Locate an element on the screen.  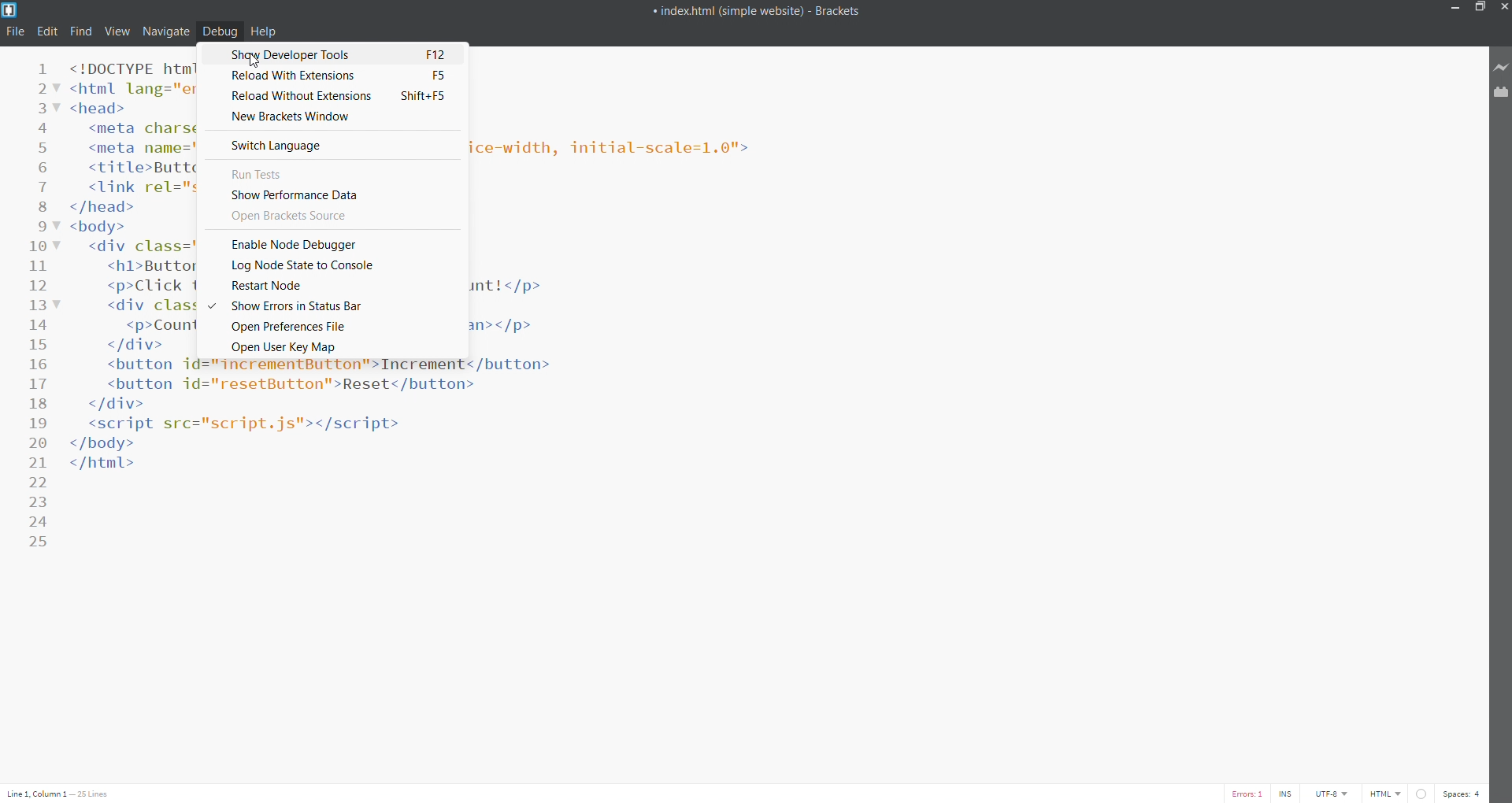
show errors in status bar is located at coordinates (328, 305).